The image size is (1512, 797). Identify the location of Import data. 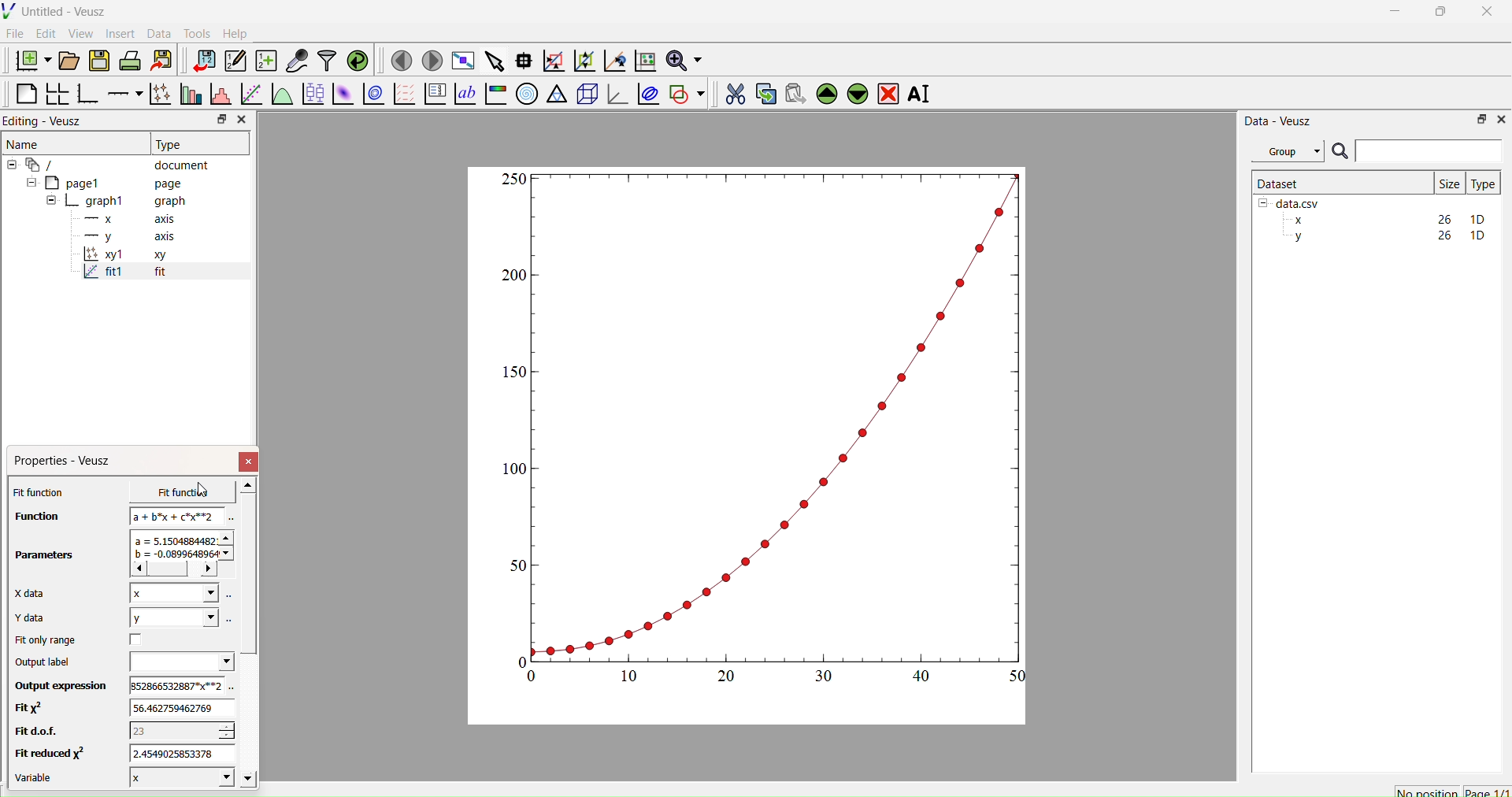
(200, 61).